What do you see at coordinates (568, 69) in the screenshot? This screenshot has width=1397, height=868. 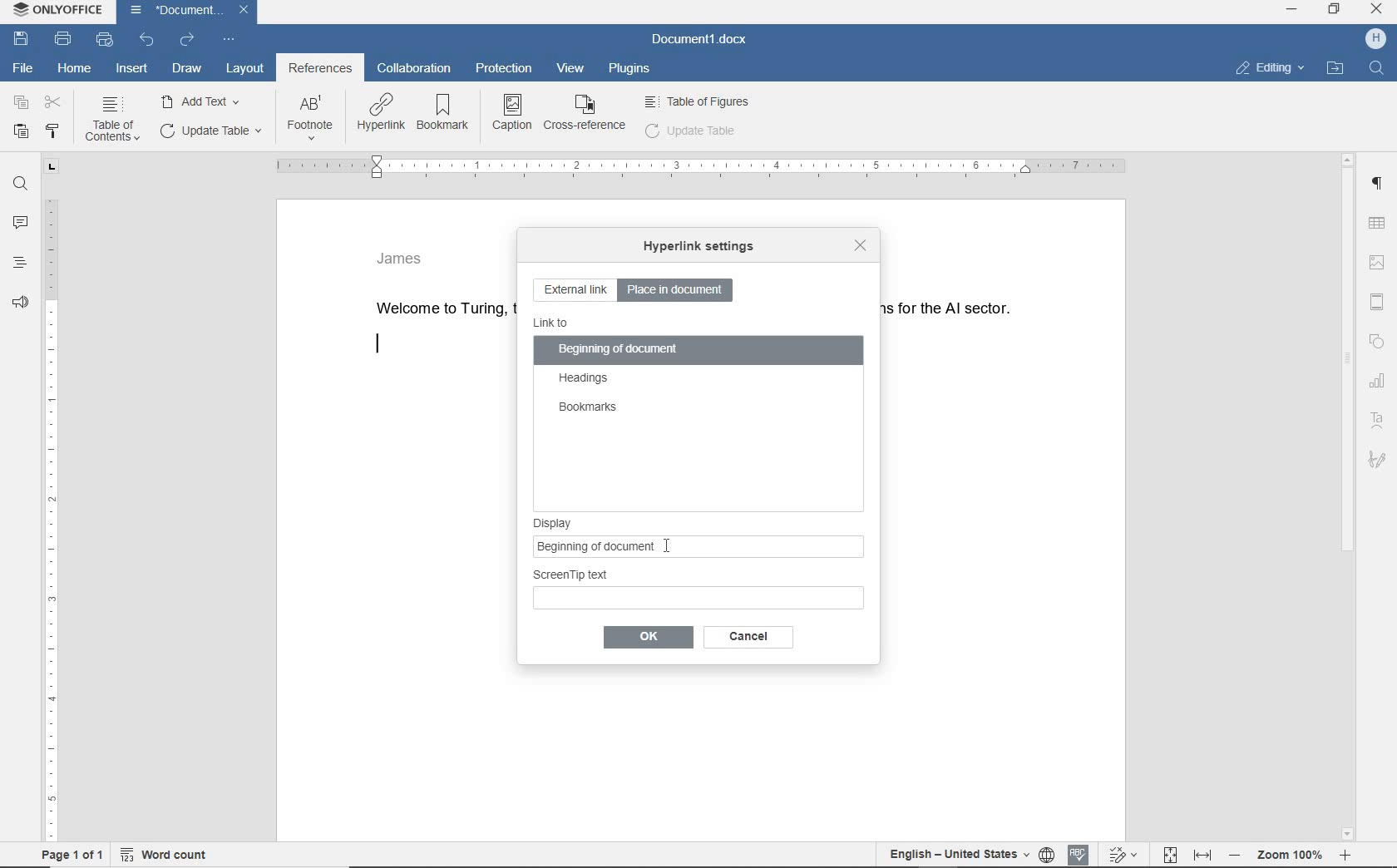 I see `view` at bounding box center [568, 69].